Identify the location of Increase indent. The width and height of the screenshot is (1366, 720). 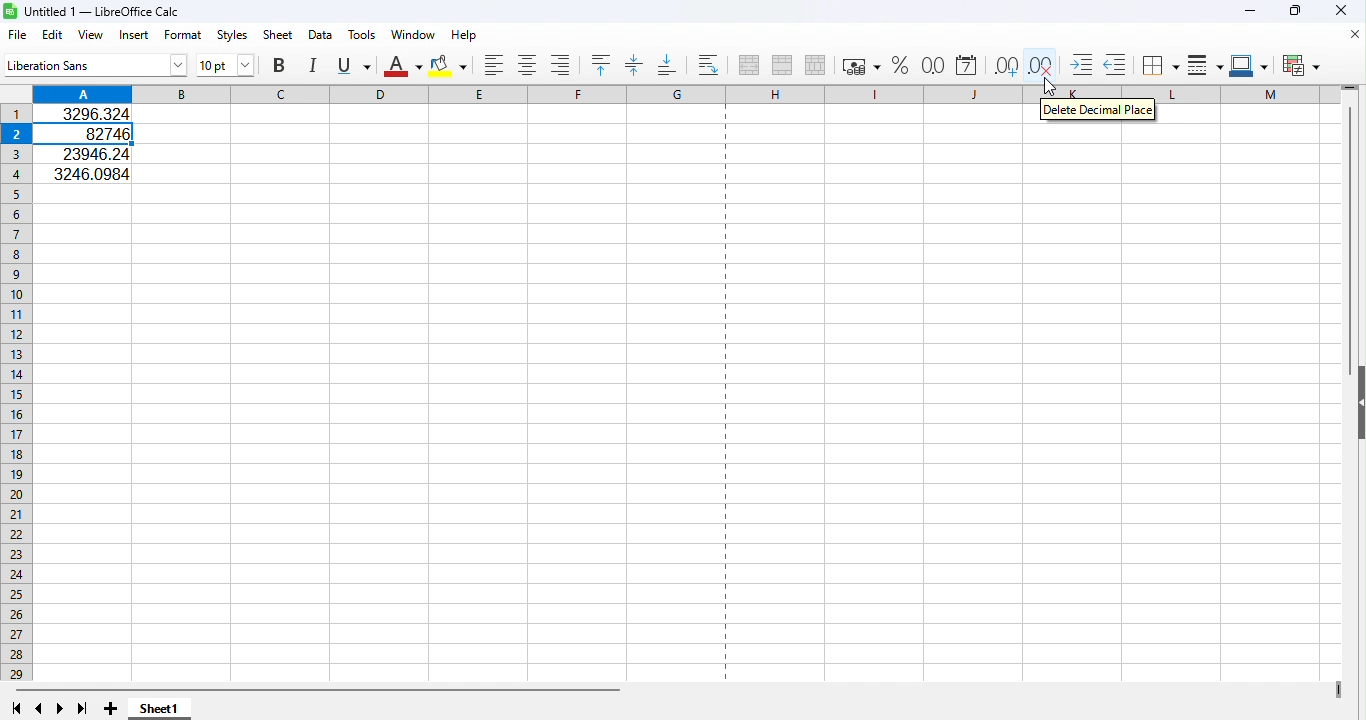
(1081, 64).